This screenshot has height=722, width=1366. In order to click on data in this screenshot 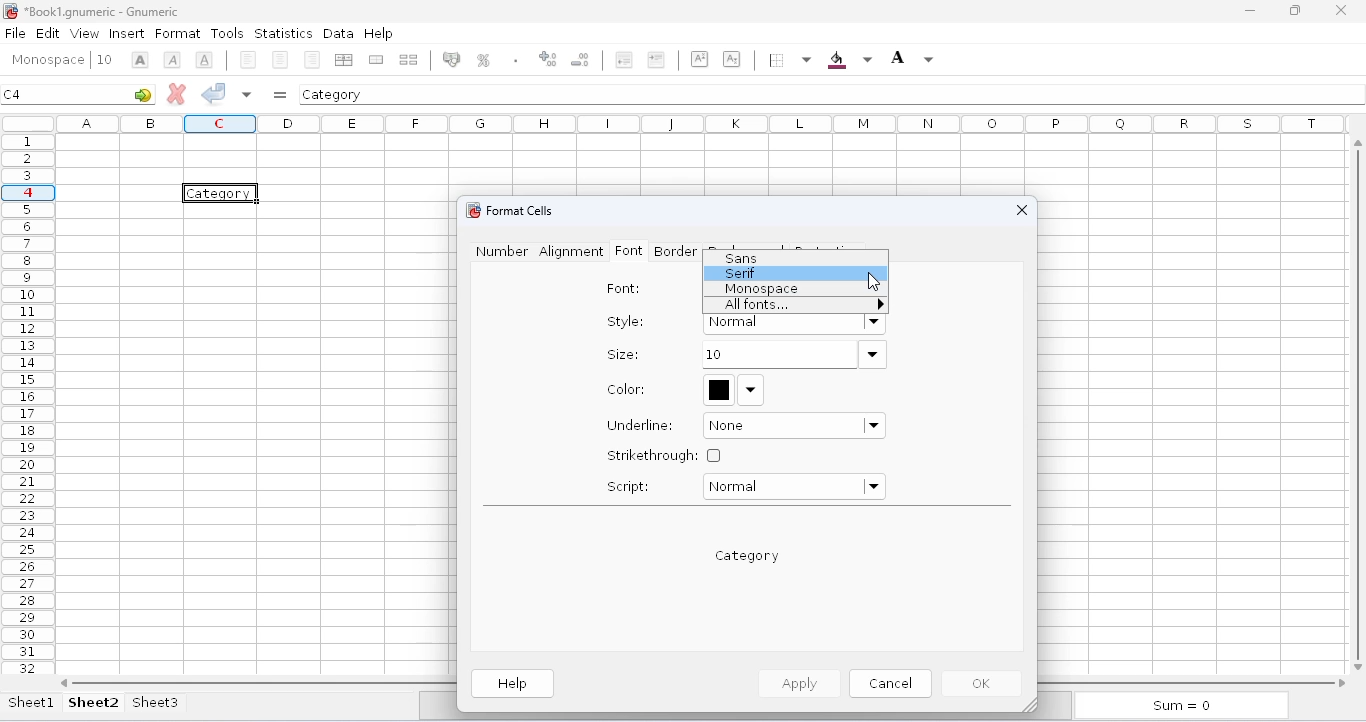, I will do `click(338, 33)`.